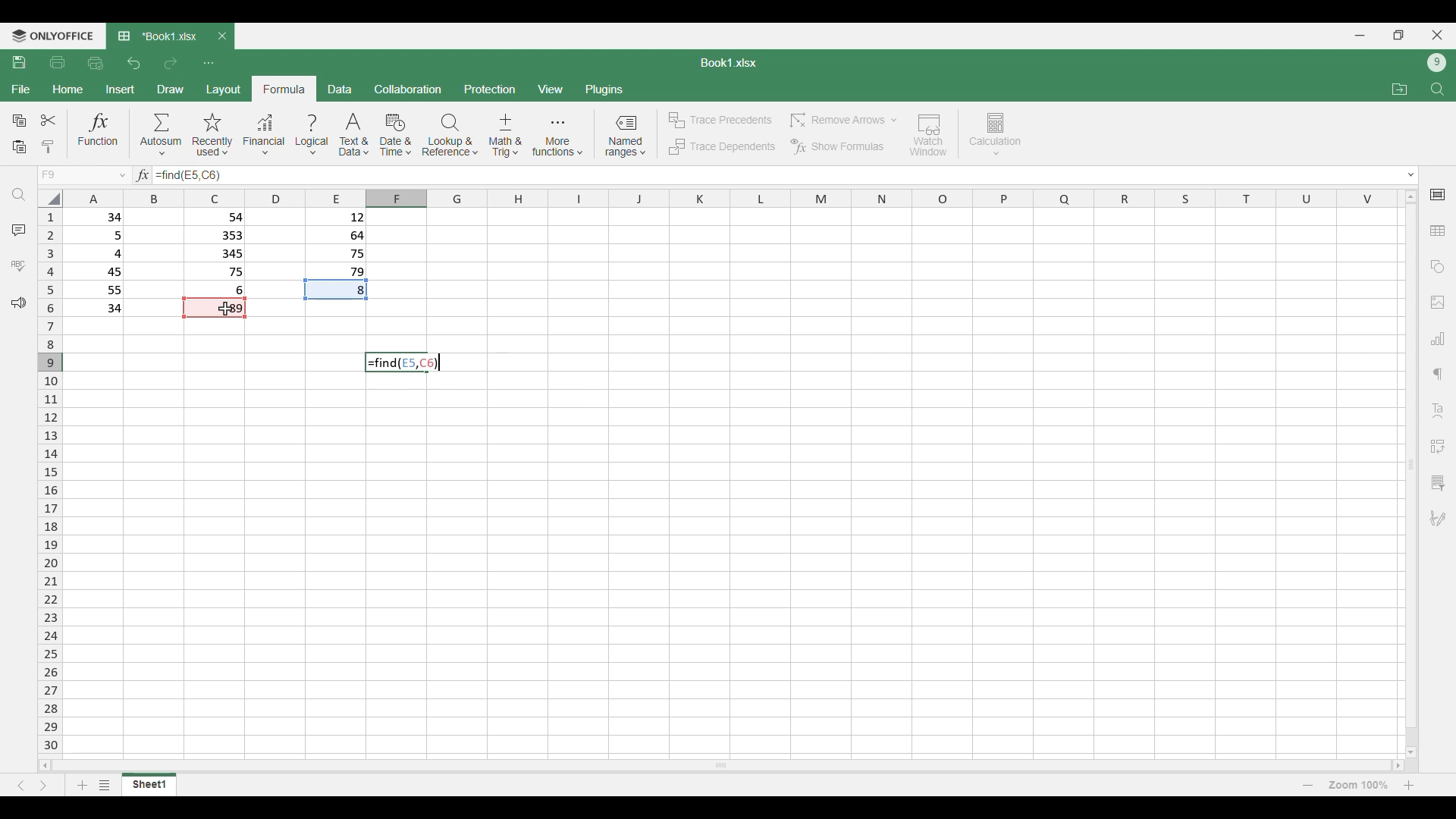 This screenshot has width=1456, height=819. I want to click on List of sheets, so click(105, 785).